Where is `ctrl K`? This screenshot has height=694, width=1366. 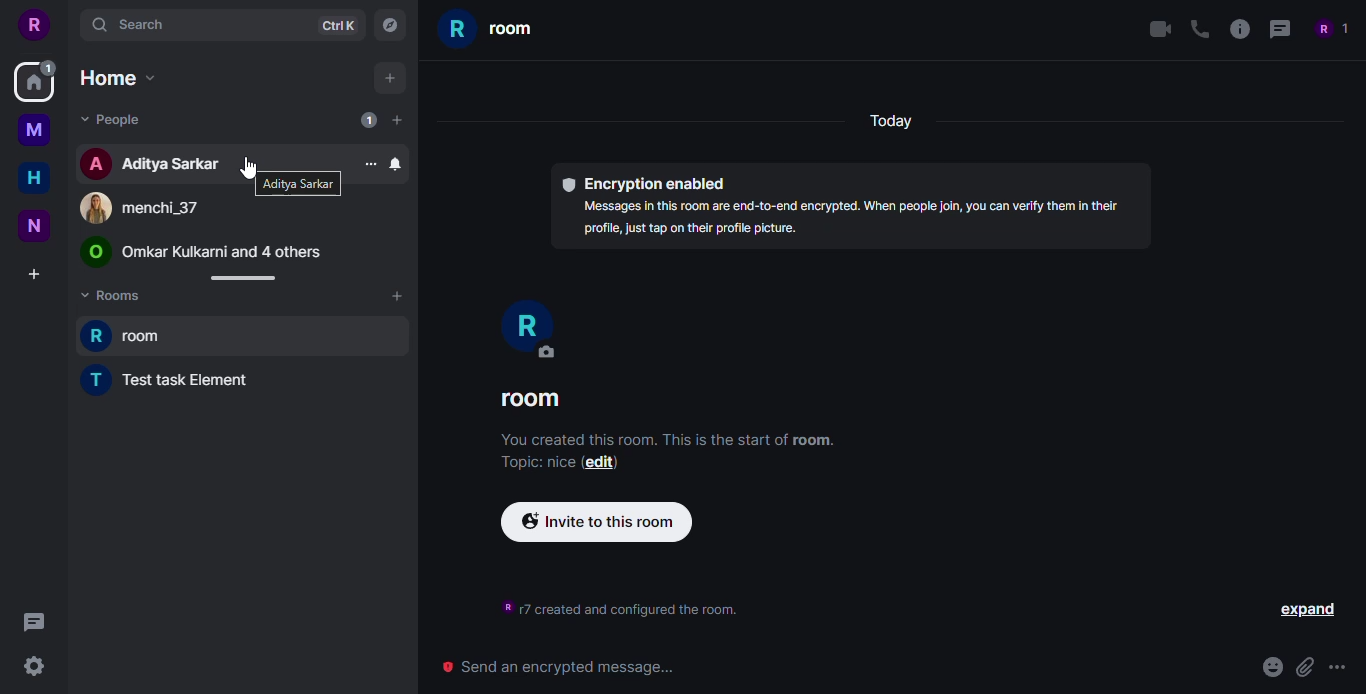
ctrl K is located at coordinates (337, 25).